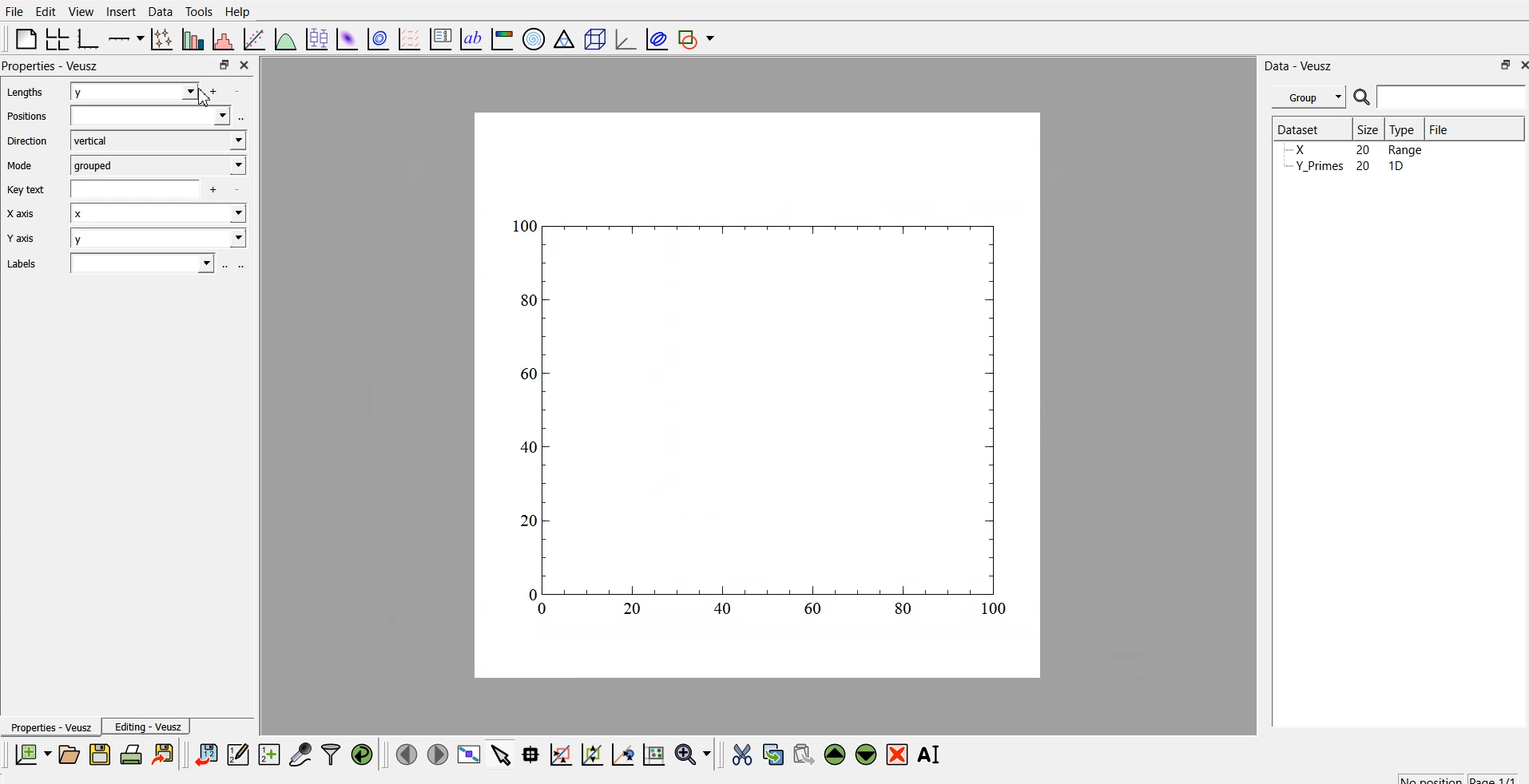 This screenshot has height=784, width=1529. I want to click on view plot full screen, so click(470, 754).